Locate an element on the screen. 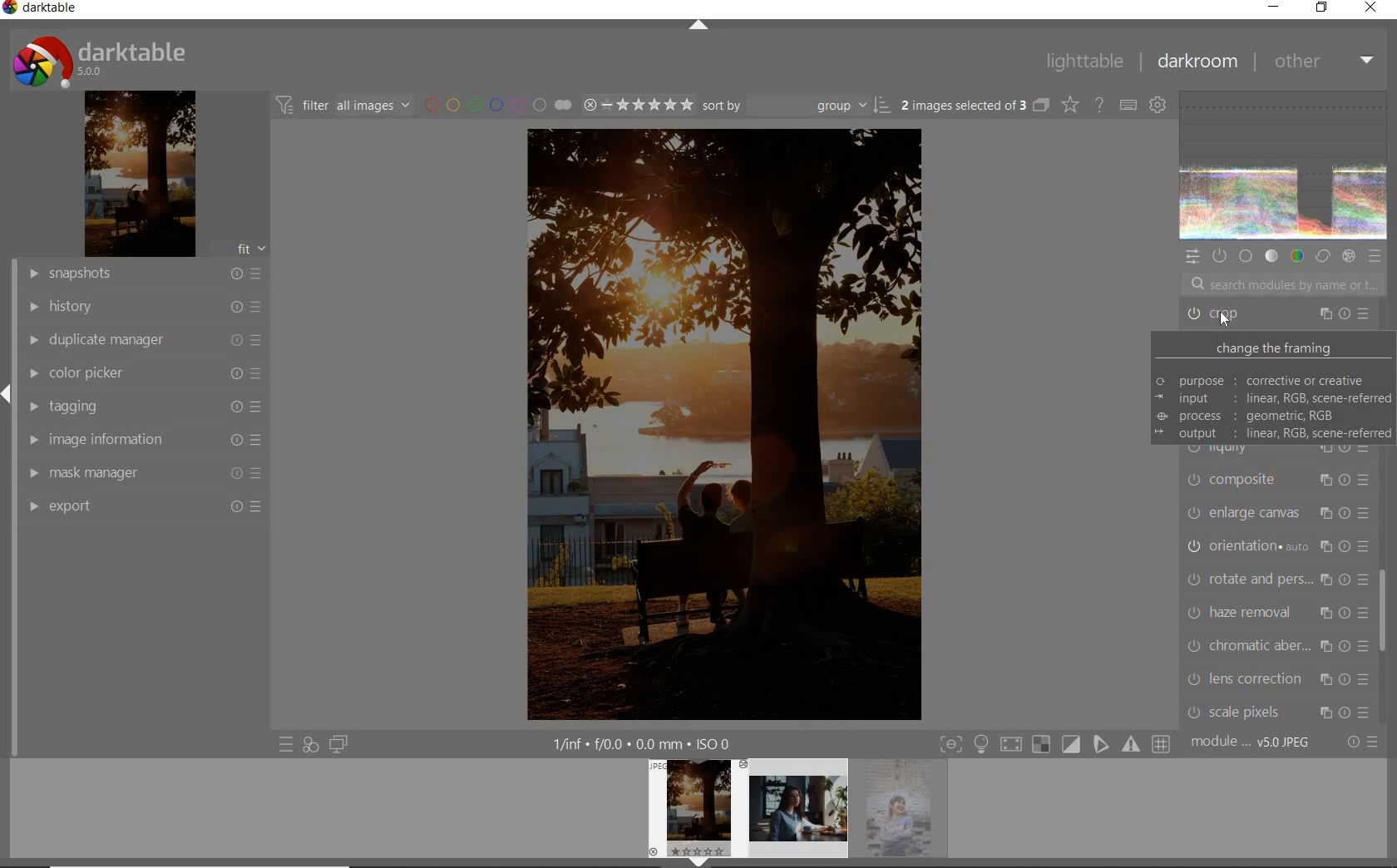  image preview is located at coordinates (906, 813).